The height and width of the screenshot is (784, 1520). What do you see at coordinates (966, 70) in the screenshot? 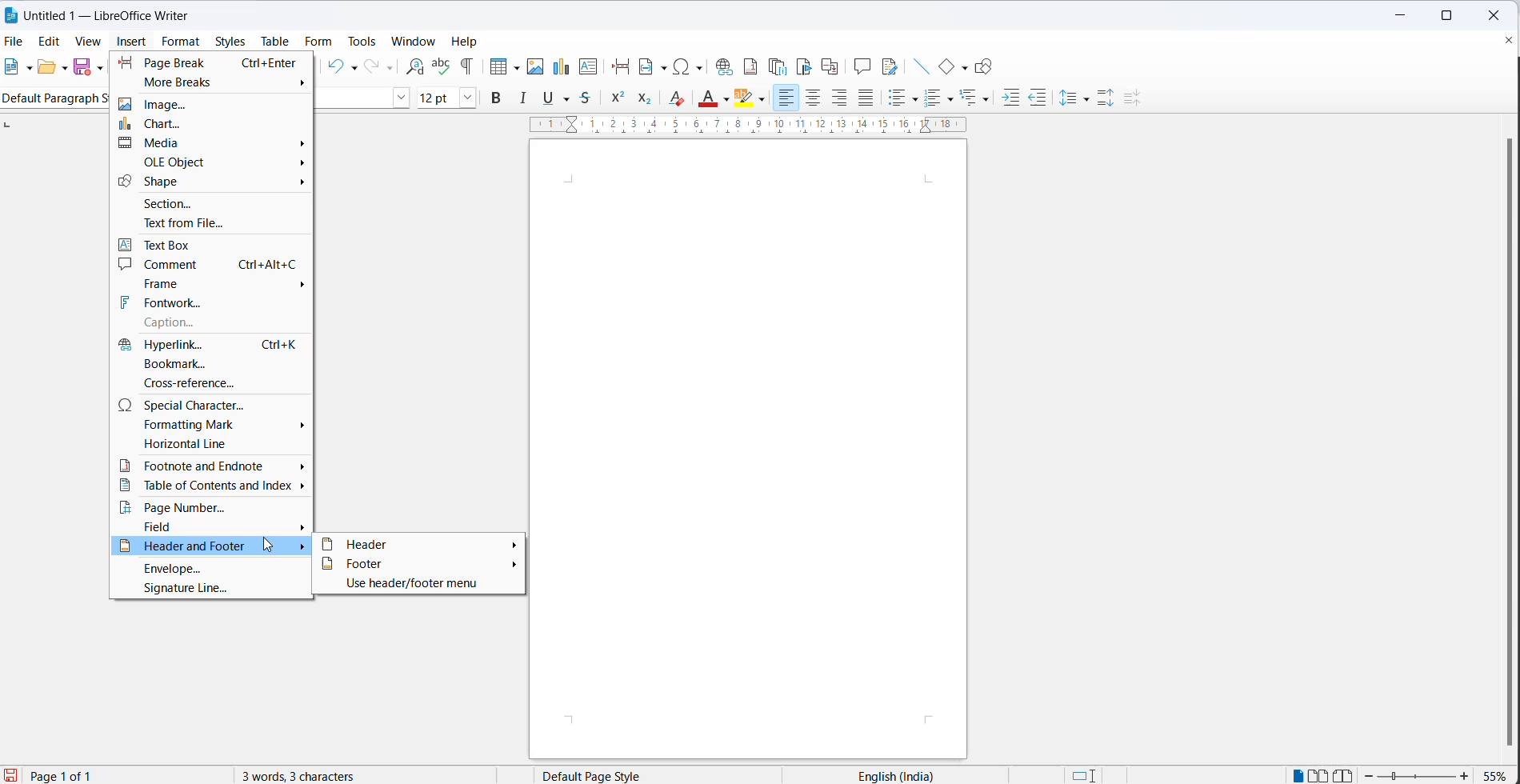
I see `basic shapes options` at bounding box center [966, 70].